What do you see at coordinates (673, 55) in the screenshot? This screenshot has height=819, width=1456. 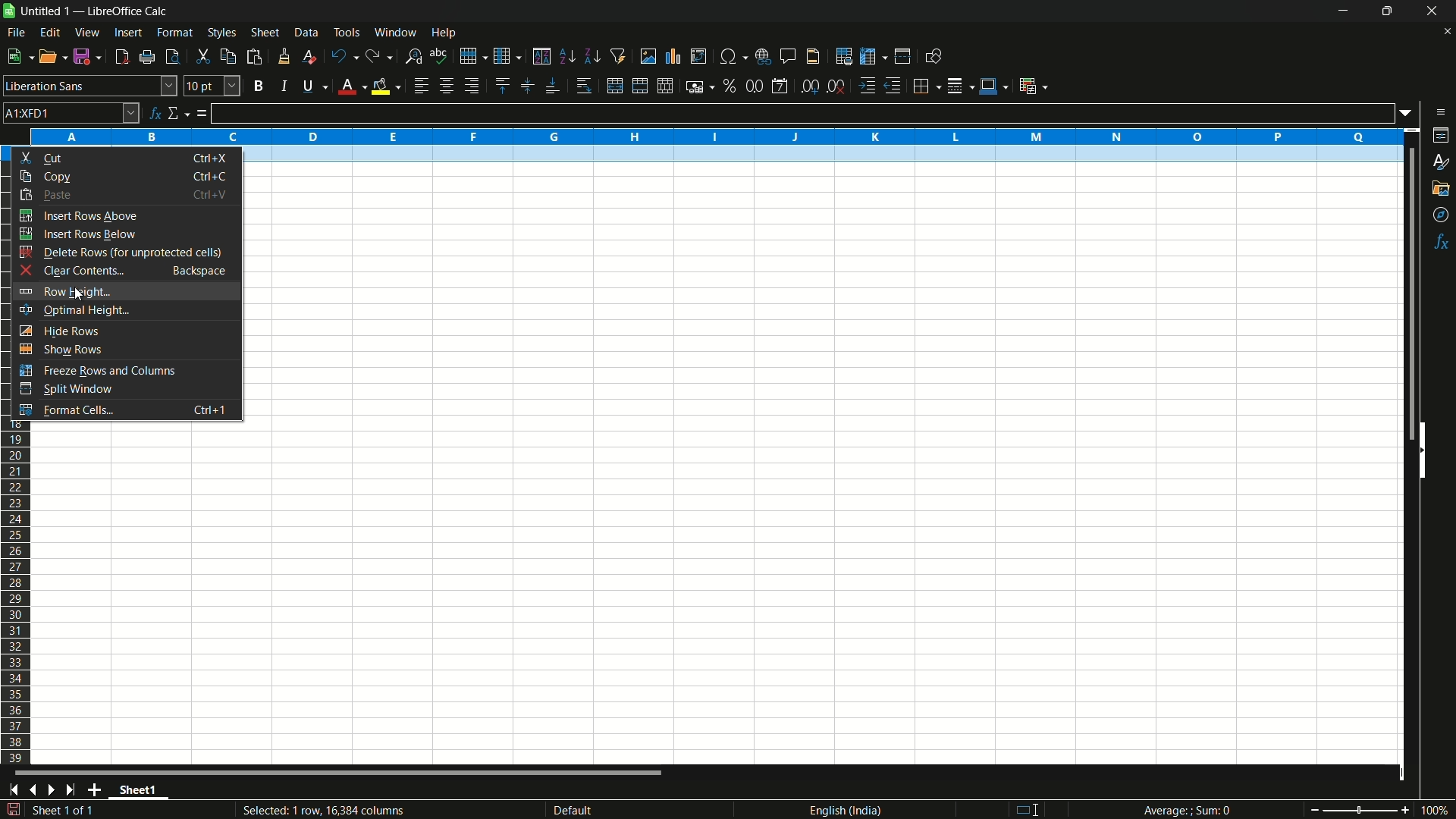 I see `insert chart` at bounding box center [673, 55].